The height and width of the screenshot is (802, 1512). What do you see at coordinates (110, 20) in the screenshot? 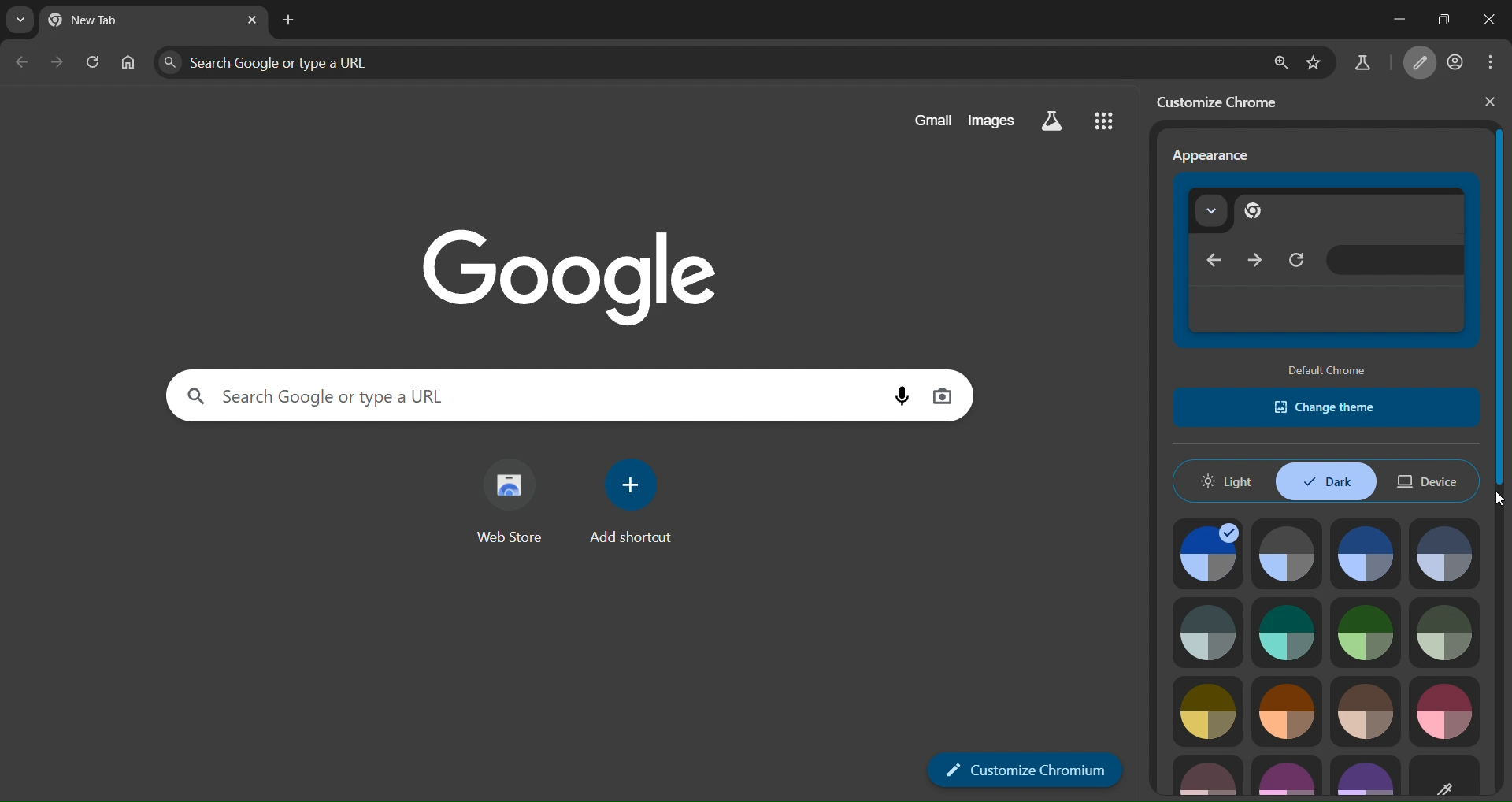
I see `currrent page` at bounding box center [110, 20].